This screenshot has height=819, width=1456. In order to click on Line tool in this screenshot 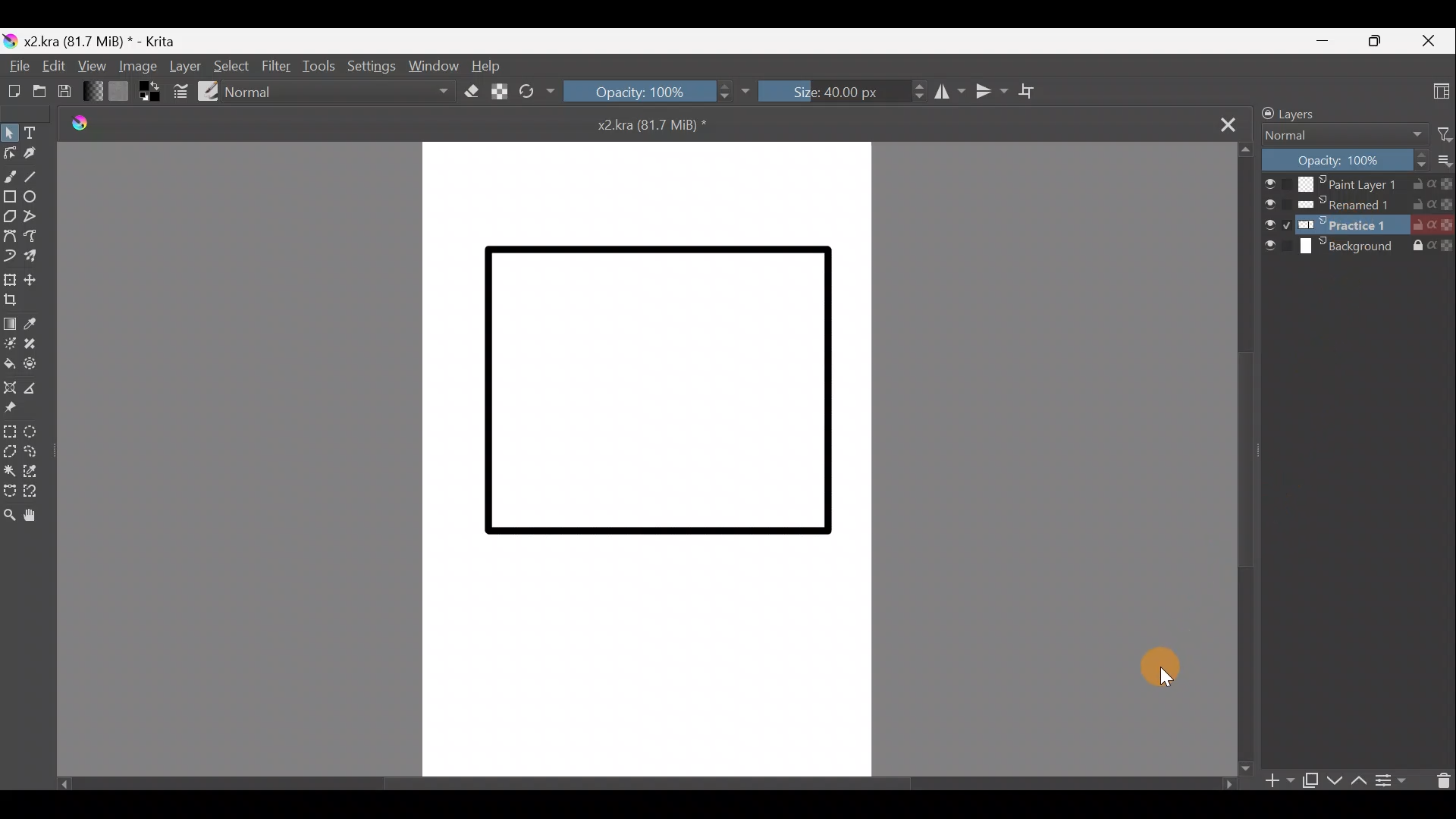, I will do `click(36, 174)`.